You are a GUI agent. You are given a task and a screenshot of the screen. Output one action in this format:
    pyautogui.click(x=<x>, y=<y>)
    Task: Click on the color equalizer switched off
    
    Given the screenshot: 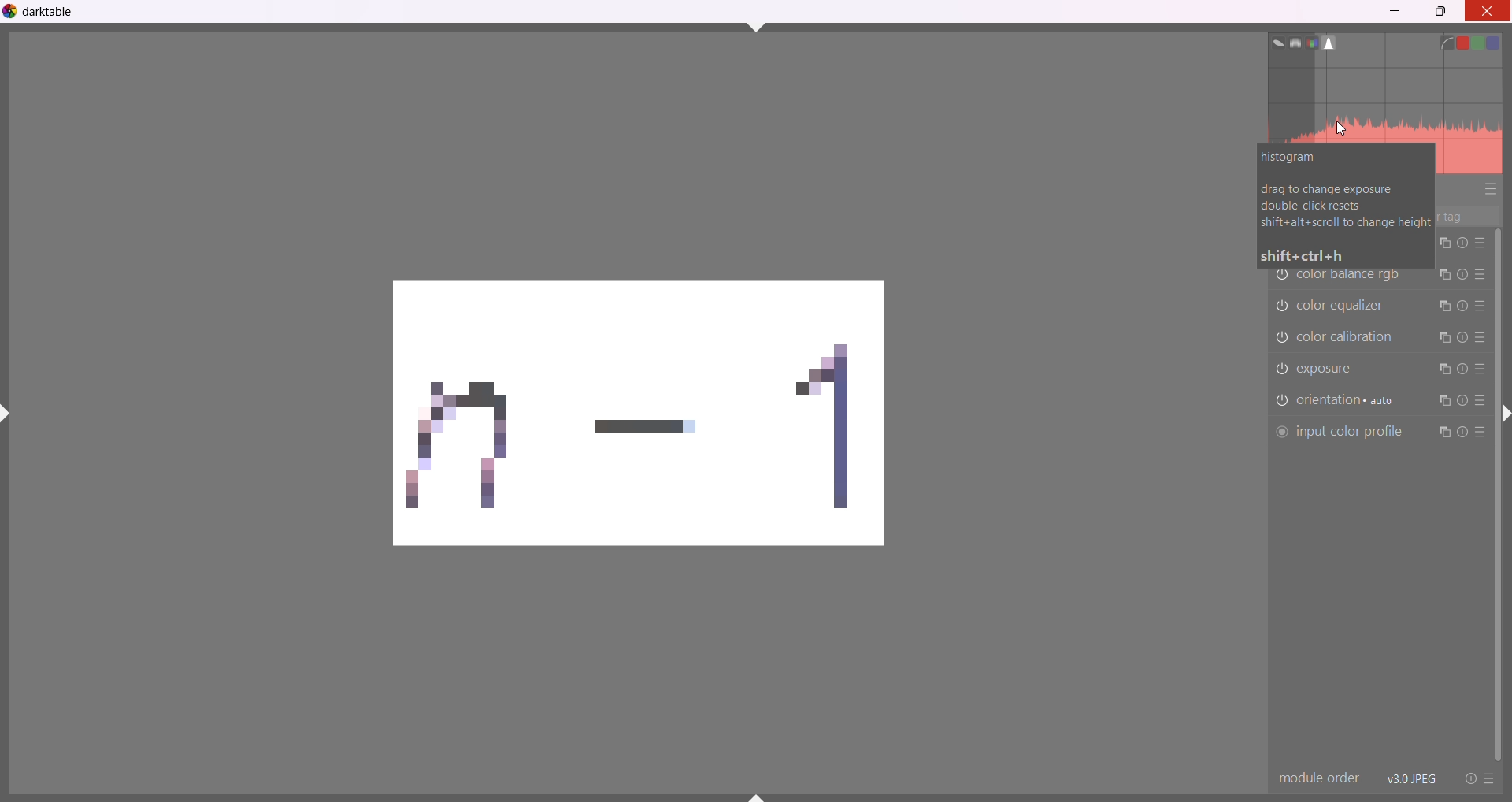 What is the action you would take?
    pyautogui.click(x=1282, y=304)
    